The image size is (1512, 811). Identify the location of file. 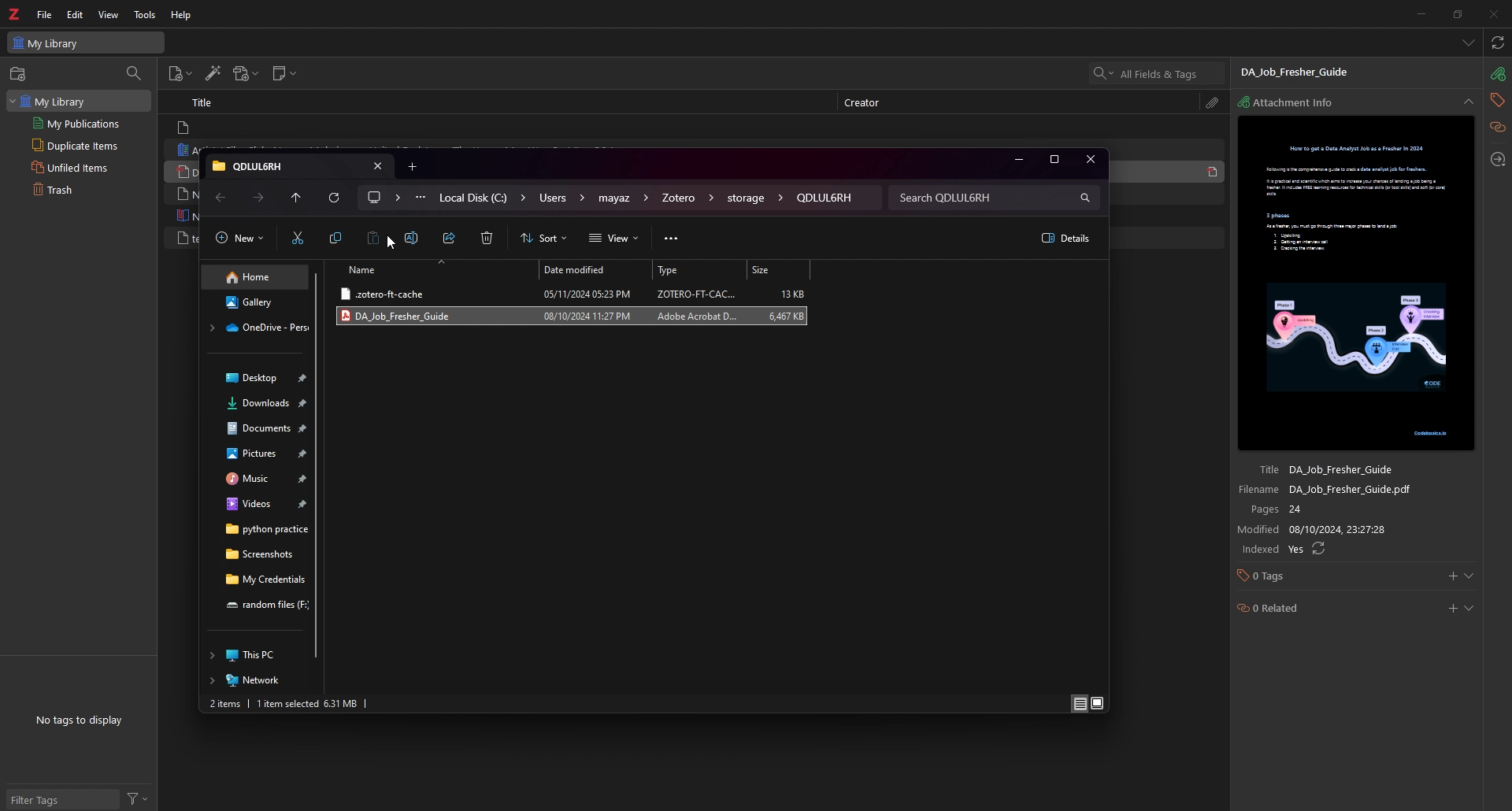
(573, 294).